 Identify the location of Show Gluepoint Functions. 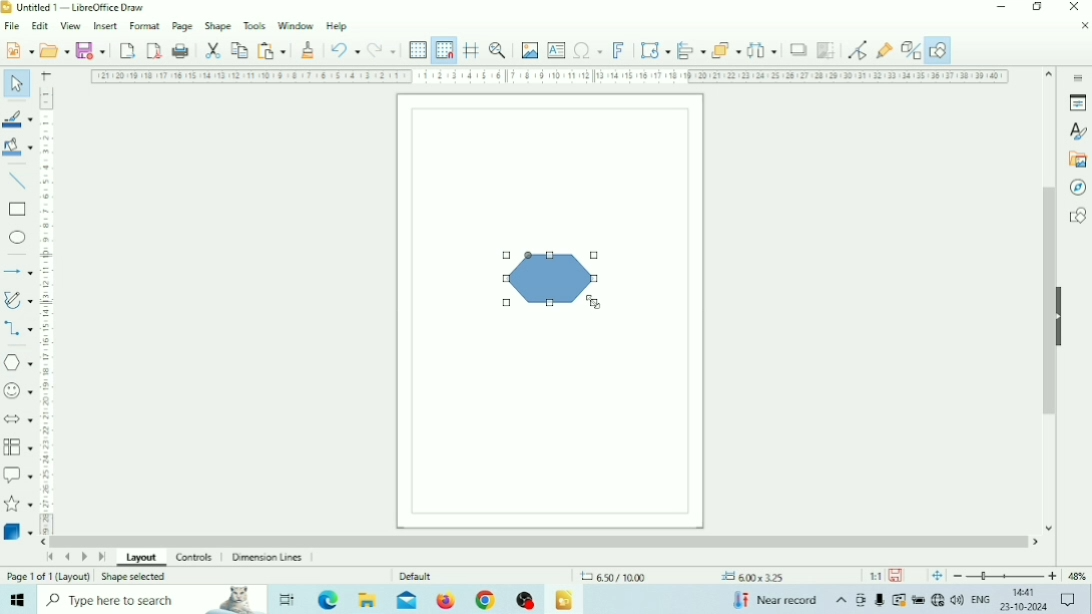
(884, 51).